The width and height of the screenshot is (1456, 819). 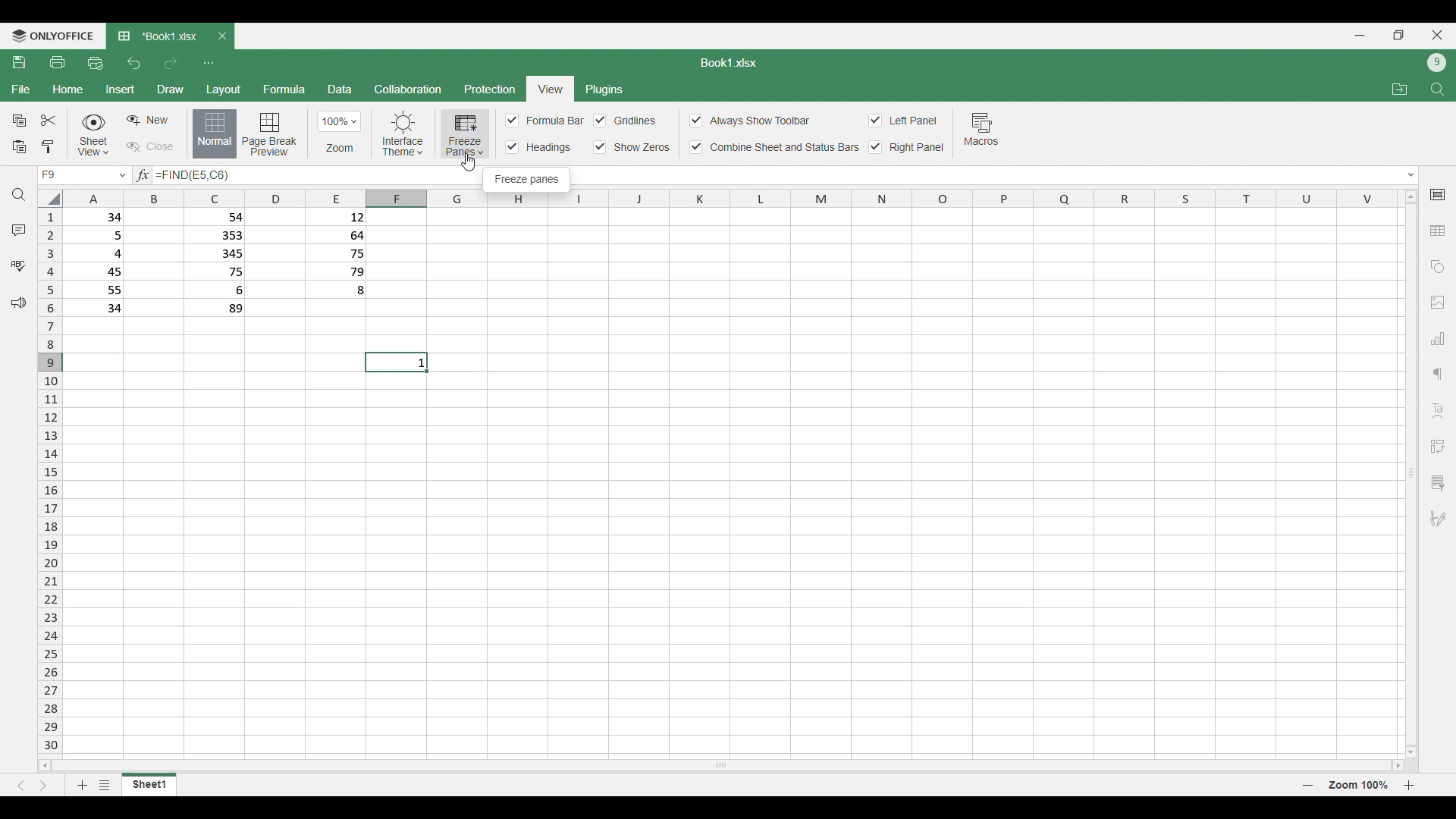 I want to click on Slicer, so click(x=1439, y=484).